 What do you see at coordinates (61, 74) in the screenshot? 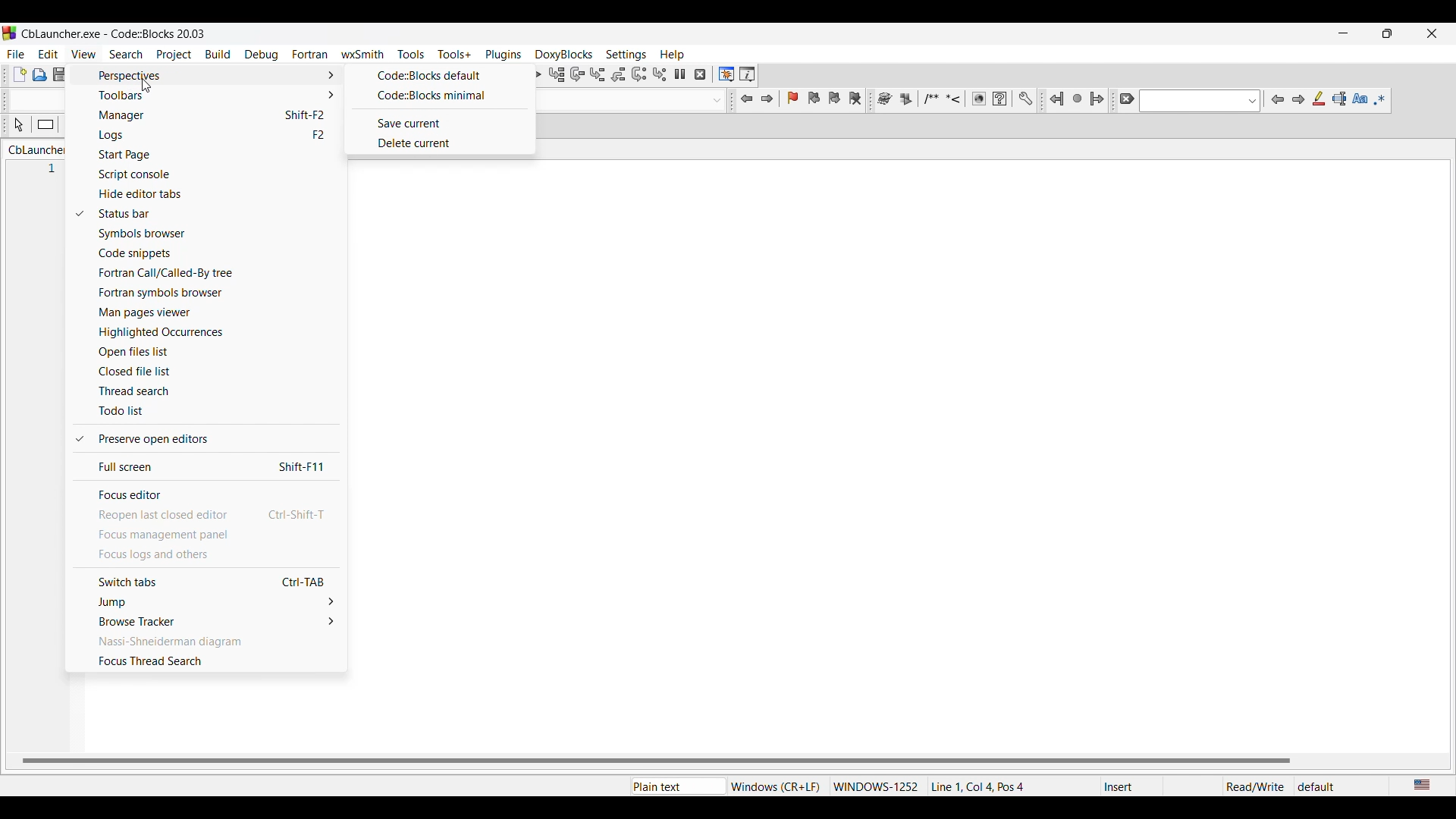
I see `Save` at bounding box center [61, 74].